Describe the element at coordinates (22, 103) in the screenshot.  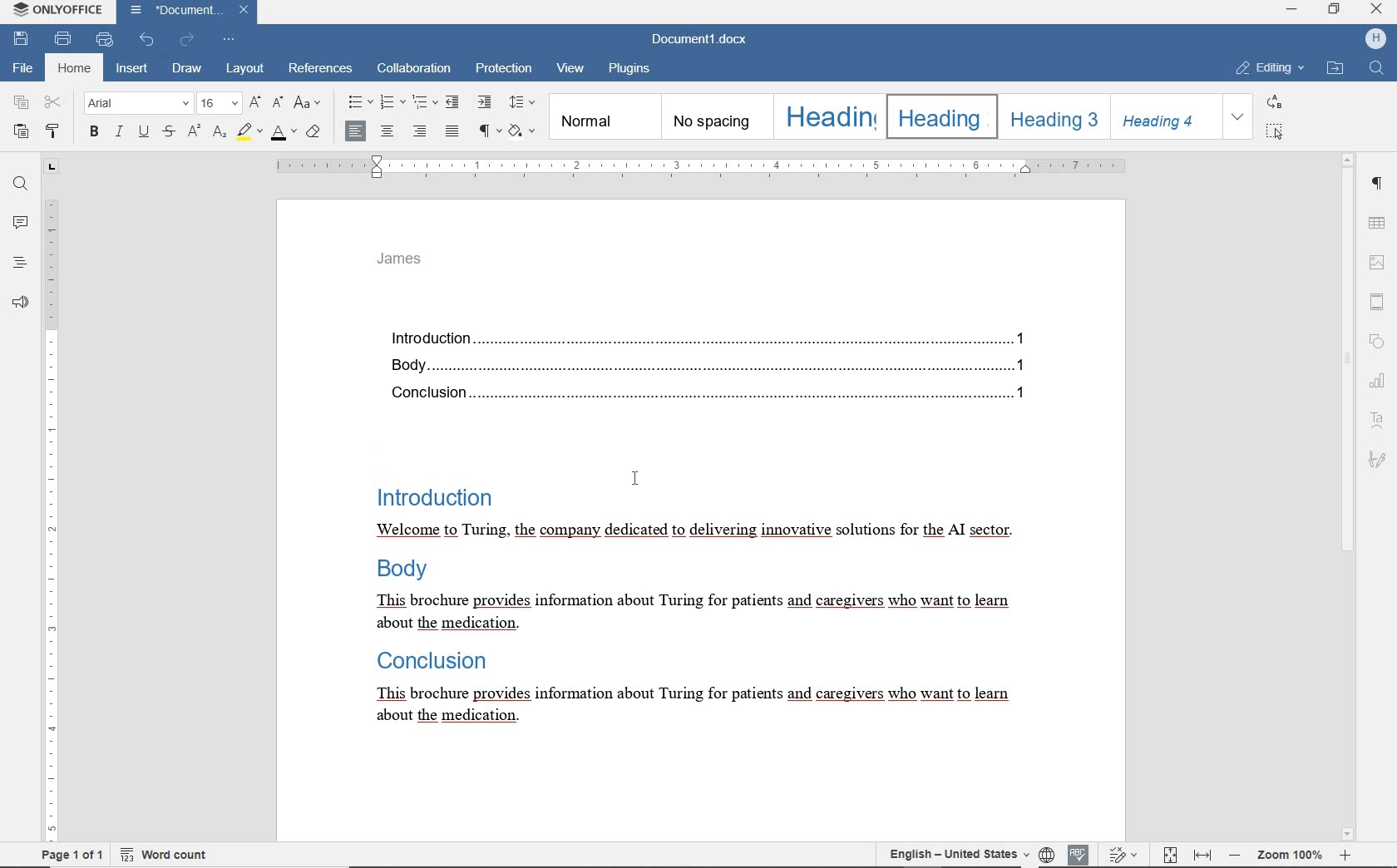
I see `copy` at that location.